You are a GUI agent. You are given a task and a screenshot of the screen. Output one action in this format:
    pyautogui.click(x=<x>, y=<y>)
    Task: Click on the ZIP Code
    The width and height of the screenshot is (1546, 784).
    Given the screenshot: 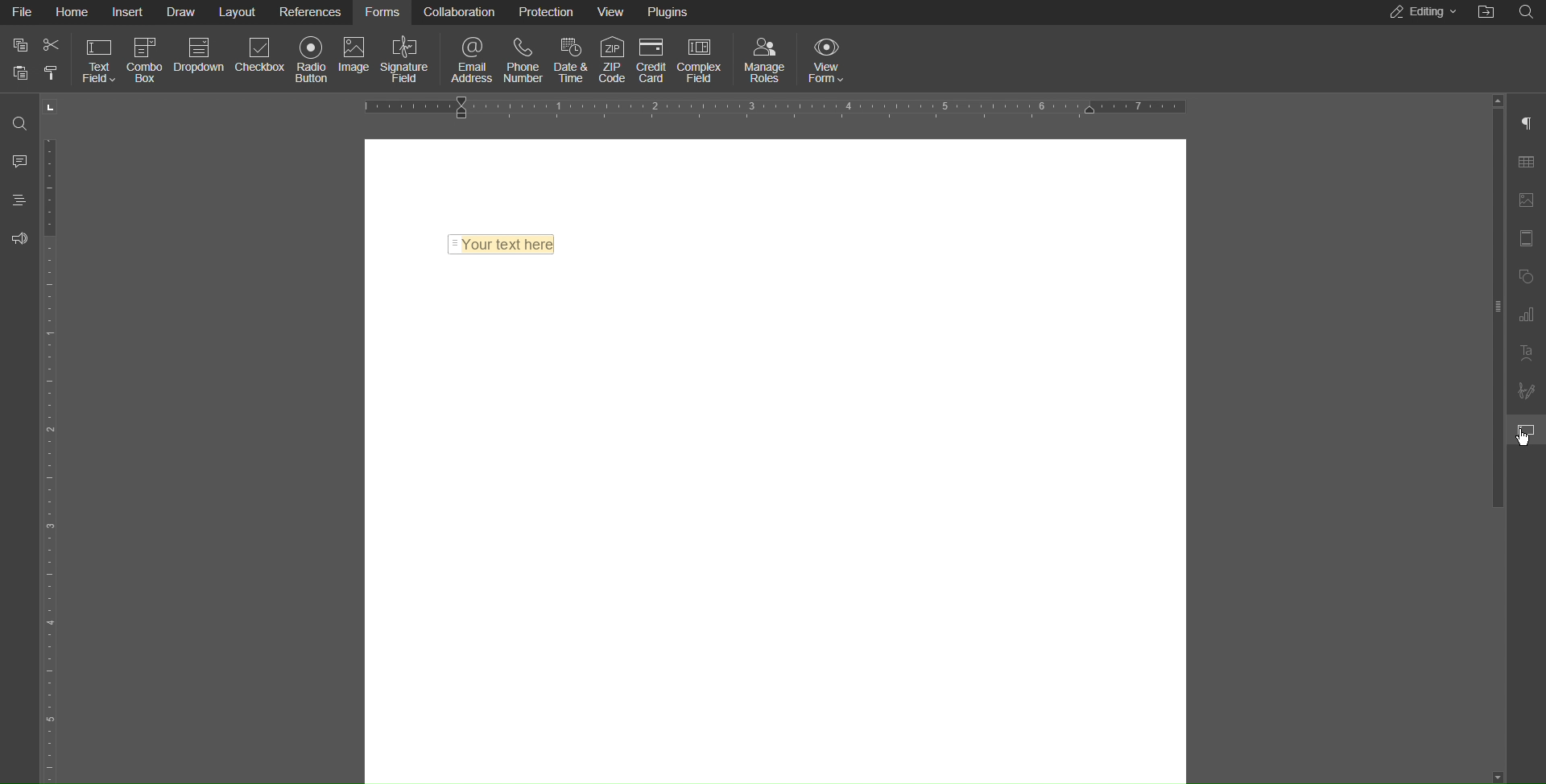 What is the action you would take?
    pyautogui.click(x=614, y=60)
    